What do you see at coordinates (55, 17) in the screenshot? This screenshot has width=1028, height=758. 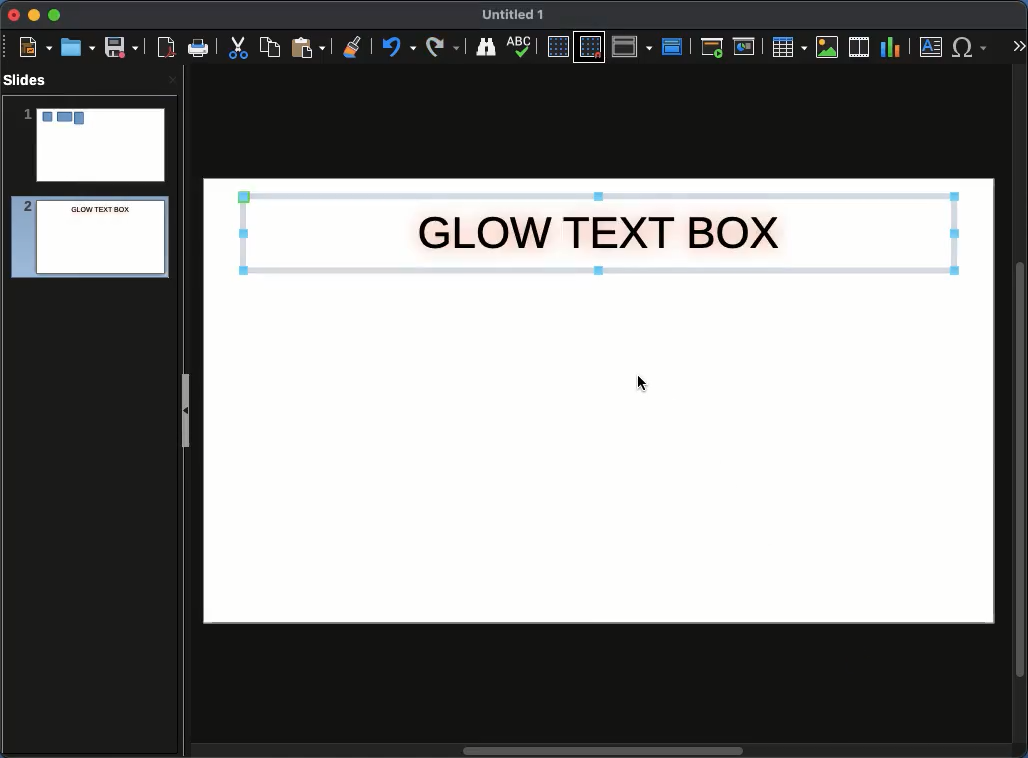 I see `Maximize` at bounding box center [55, 17].